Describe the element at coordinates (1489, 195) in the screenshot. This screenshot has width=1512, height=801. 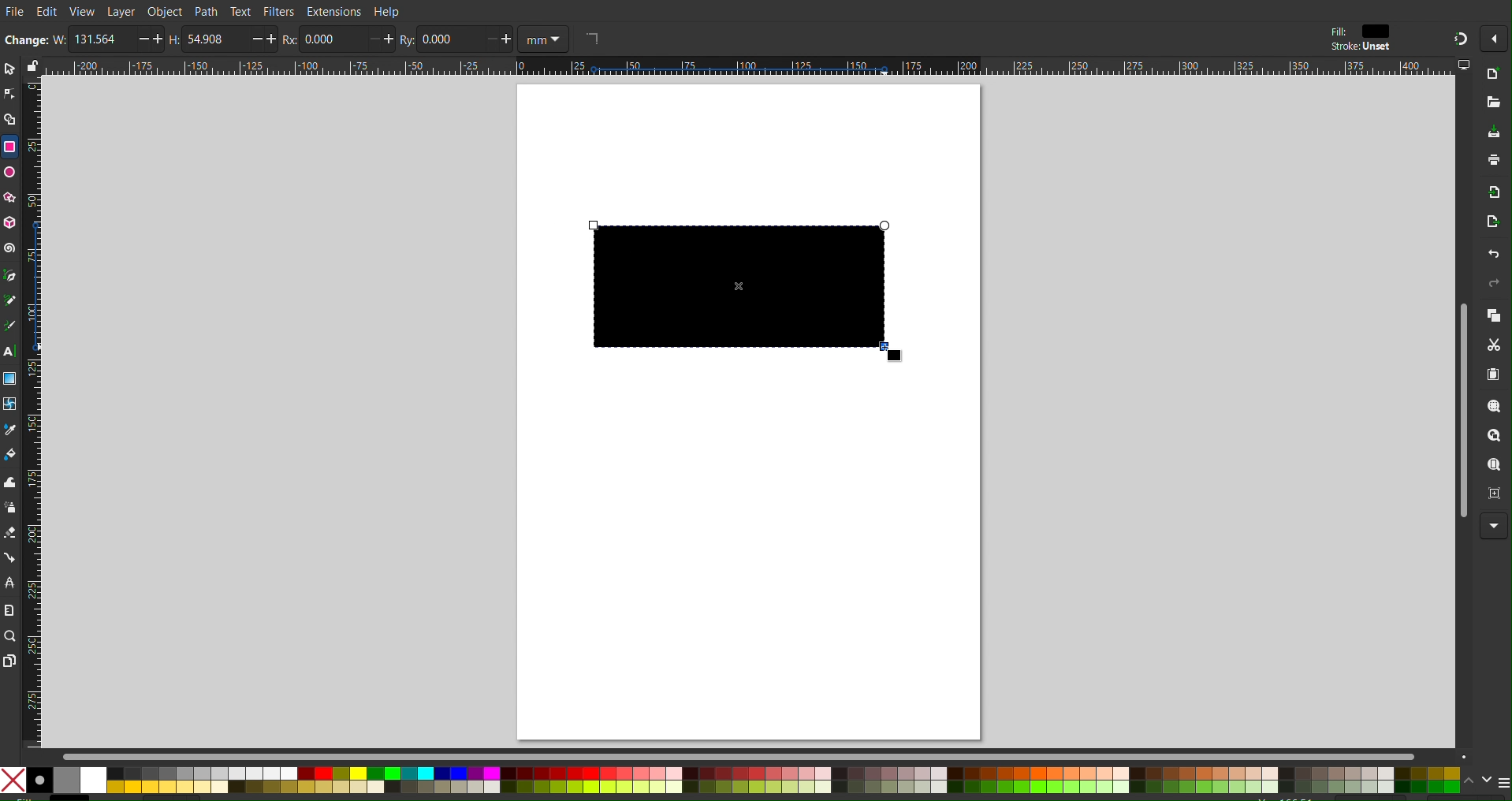
I see `Import Bitmap` at that location.